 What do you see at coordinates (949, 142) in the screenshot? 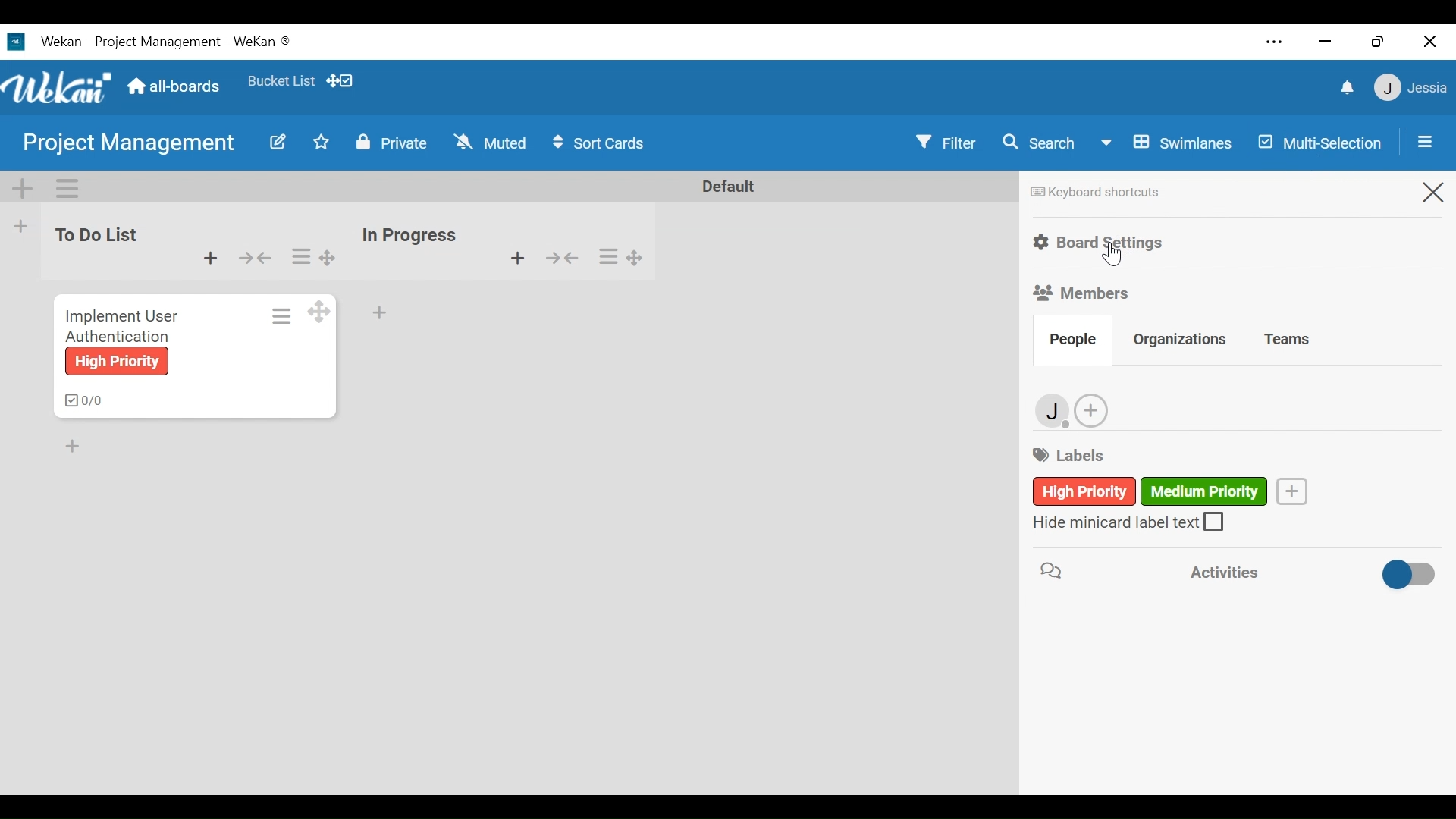
I see `Filter` at bounding box center [949, 142].